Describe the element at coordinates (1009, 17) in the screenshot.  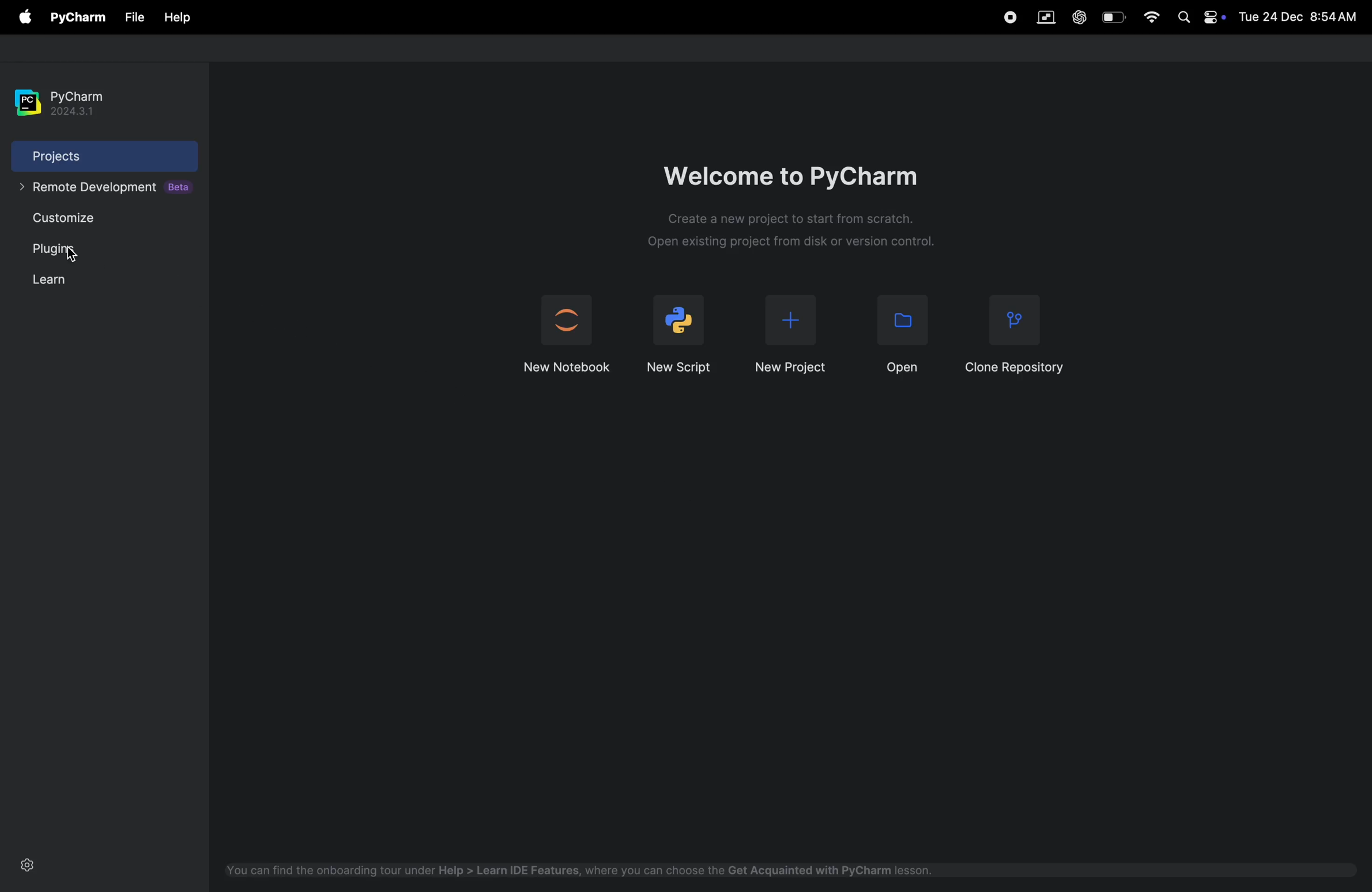
I see `record` at that location.